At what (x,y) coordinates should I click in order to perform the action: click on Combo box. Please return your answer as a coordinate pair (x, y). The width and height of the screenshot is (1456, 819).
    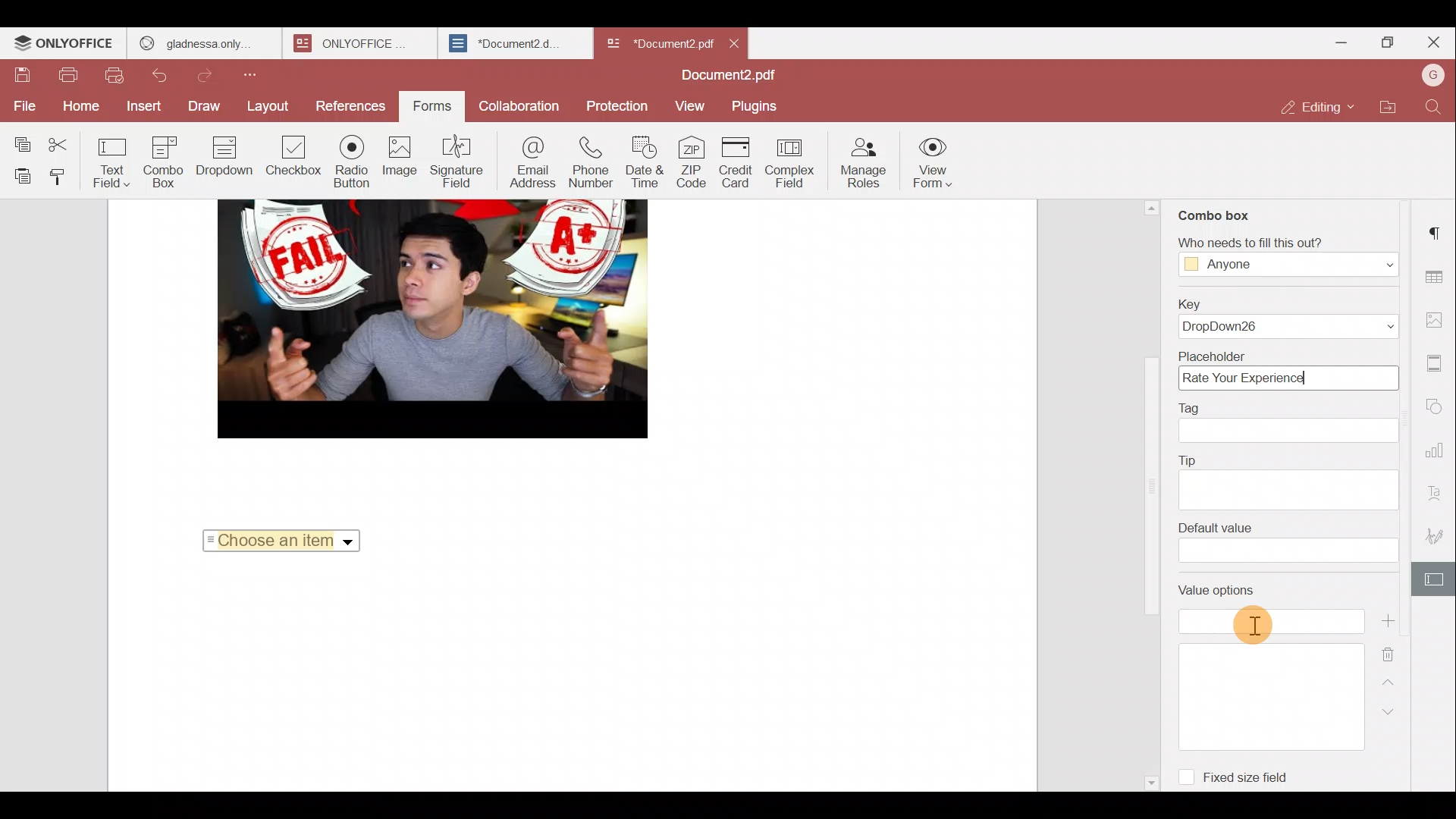
    Looking at the image, I should click on (1216, 212).